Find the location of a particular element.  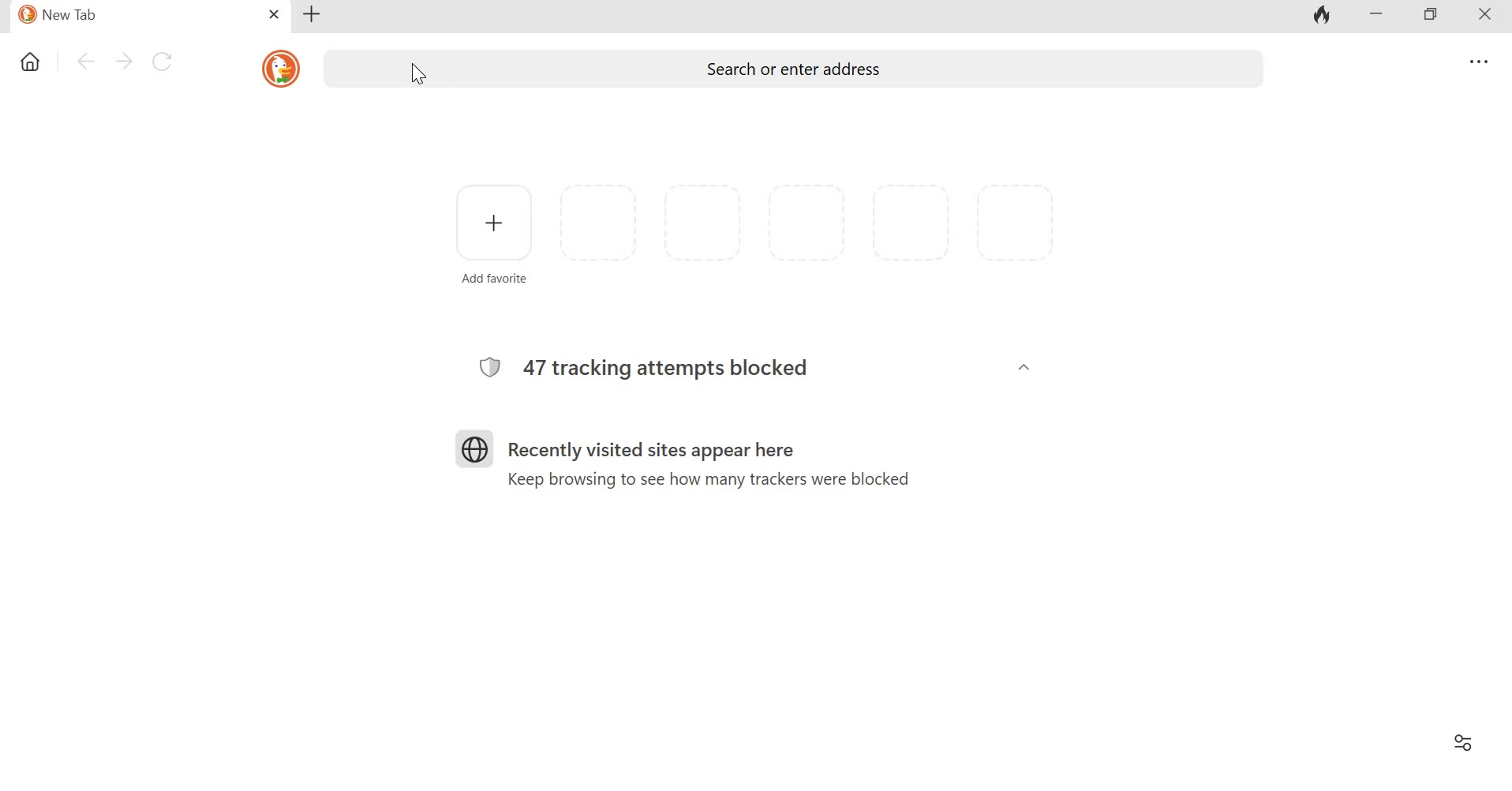

Close tab is located at coordinates (274, 14).